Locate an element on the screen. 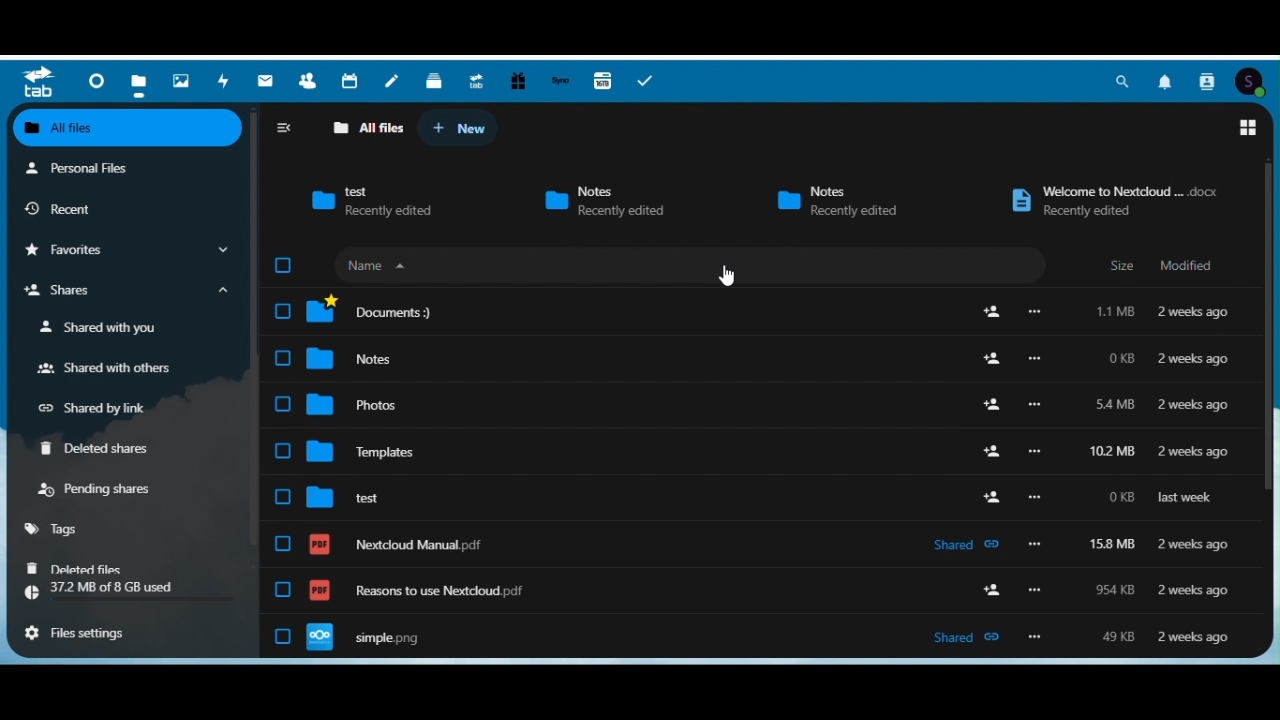 The image size is (1280, 720). D e c k is located at coordinates (433, 79).